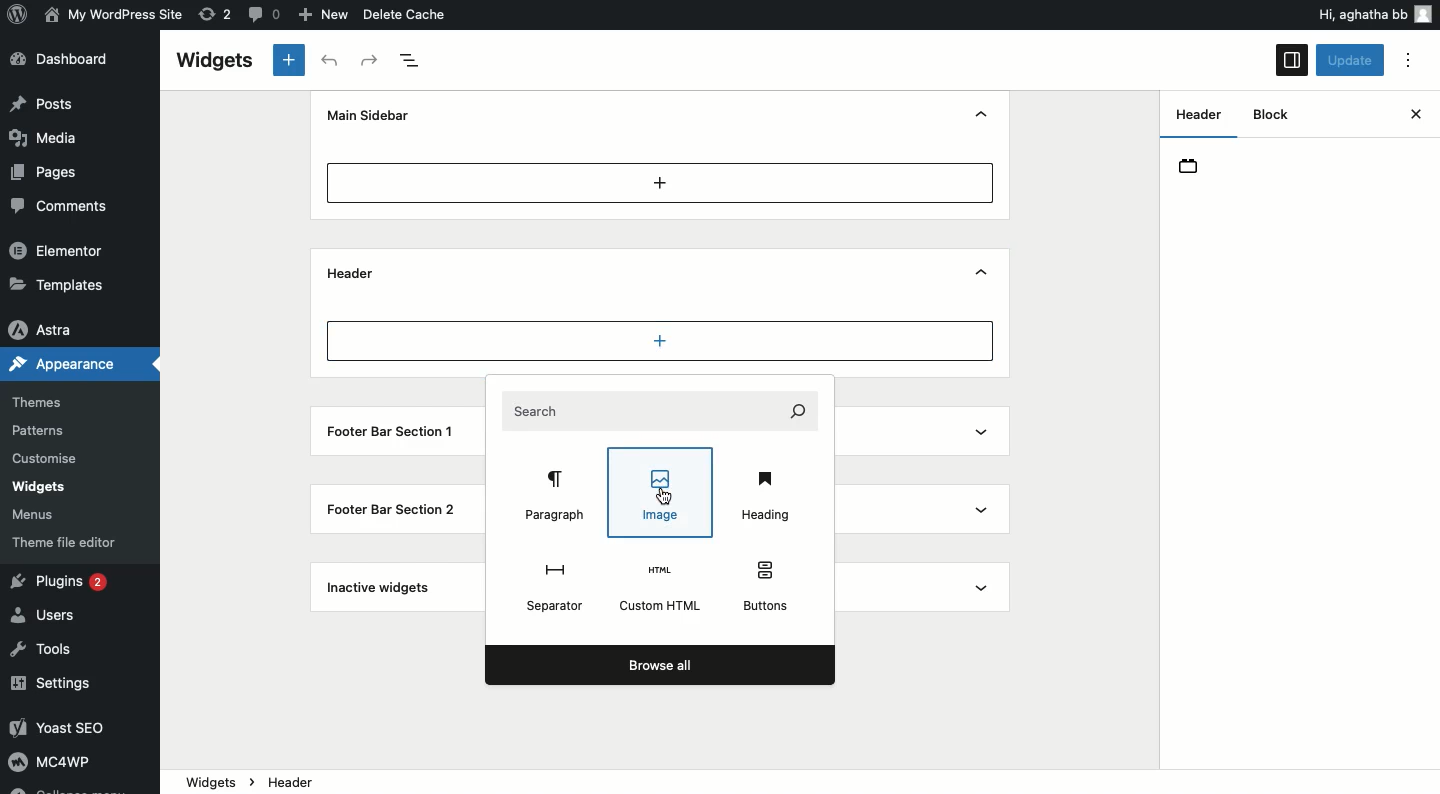 The width and height of the screenshot is (1440, 794). What do you see at coordinates (1198, 113) in the screenshot?
I see `Header` at bounding box center [1198, 113].